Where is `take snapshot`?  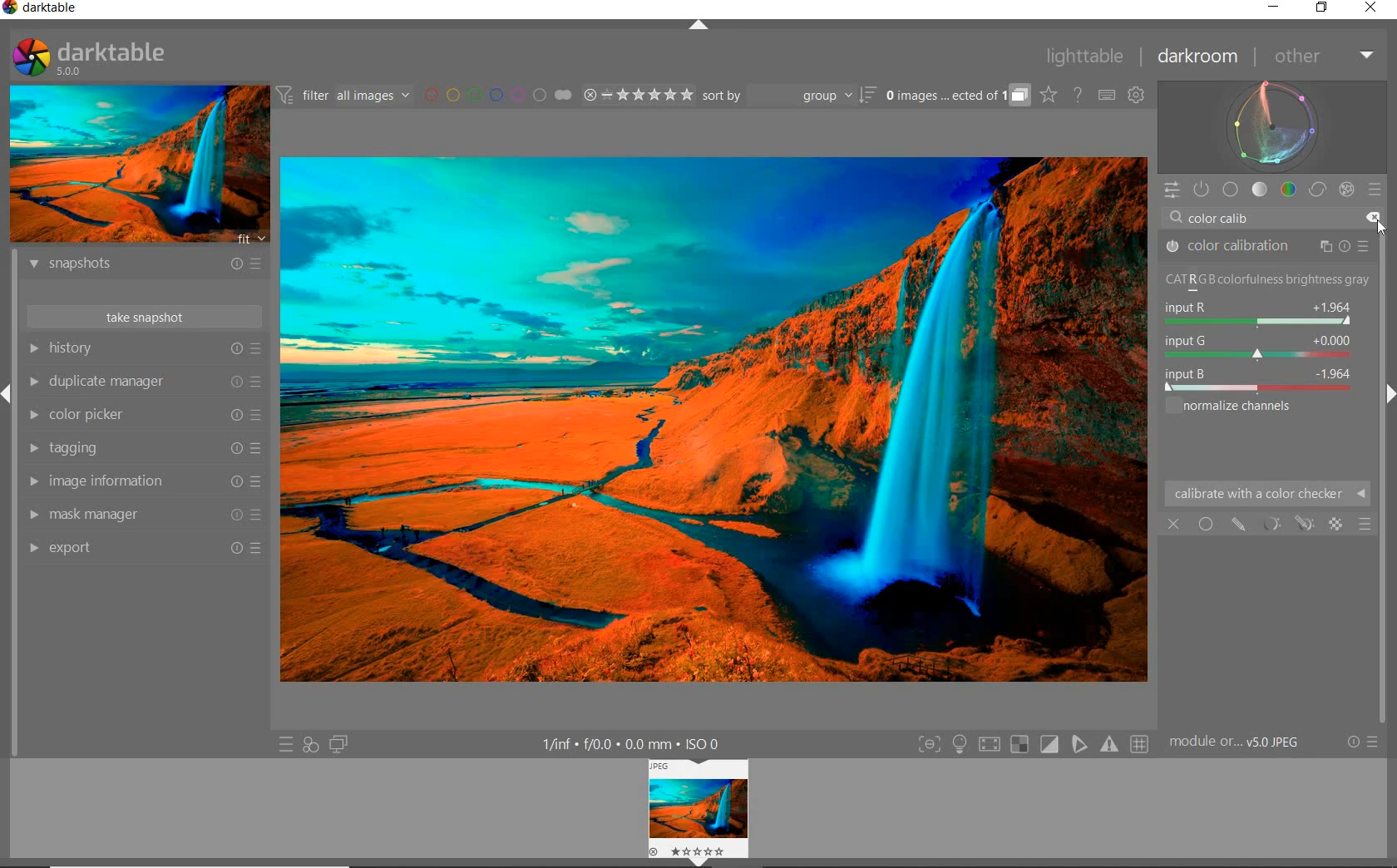
take snapshot is located at coordinates (144, 315).